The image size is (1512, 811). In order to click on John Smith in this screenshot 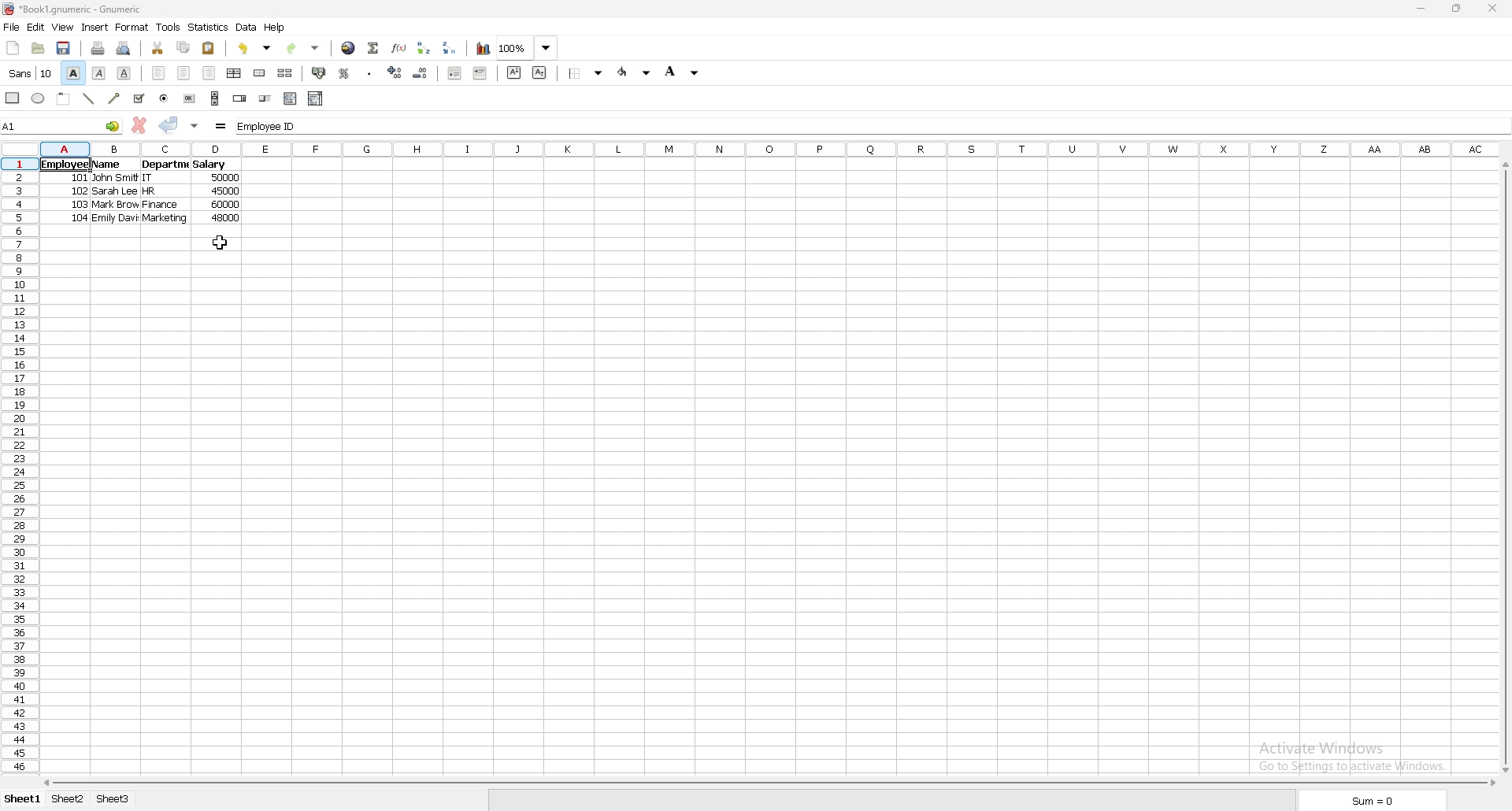, I will do `click(115, 179)`.